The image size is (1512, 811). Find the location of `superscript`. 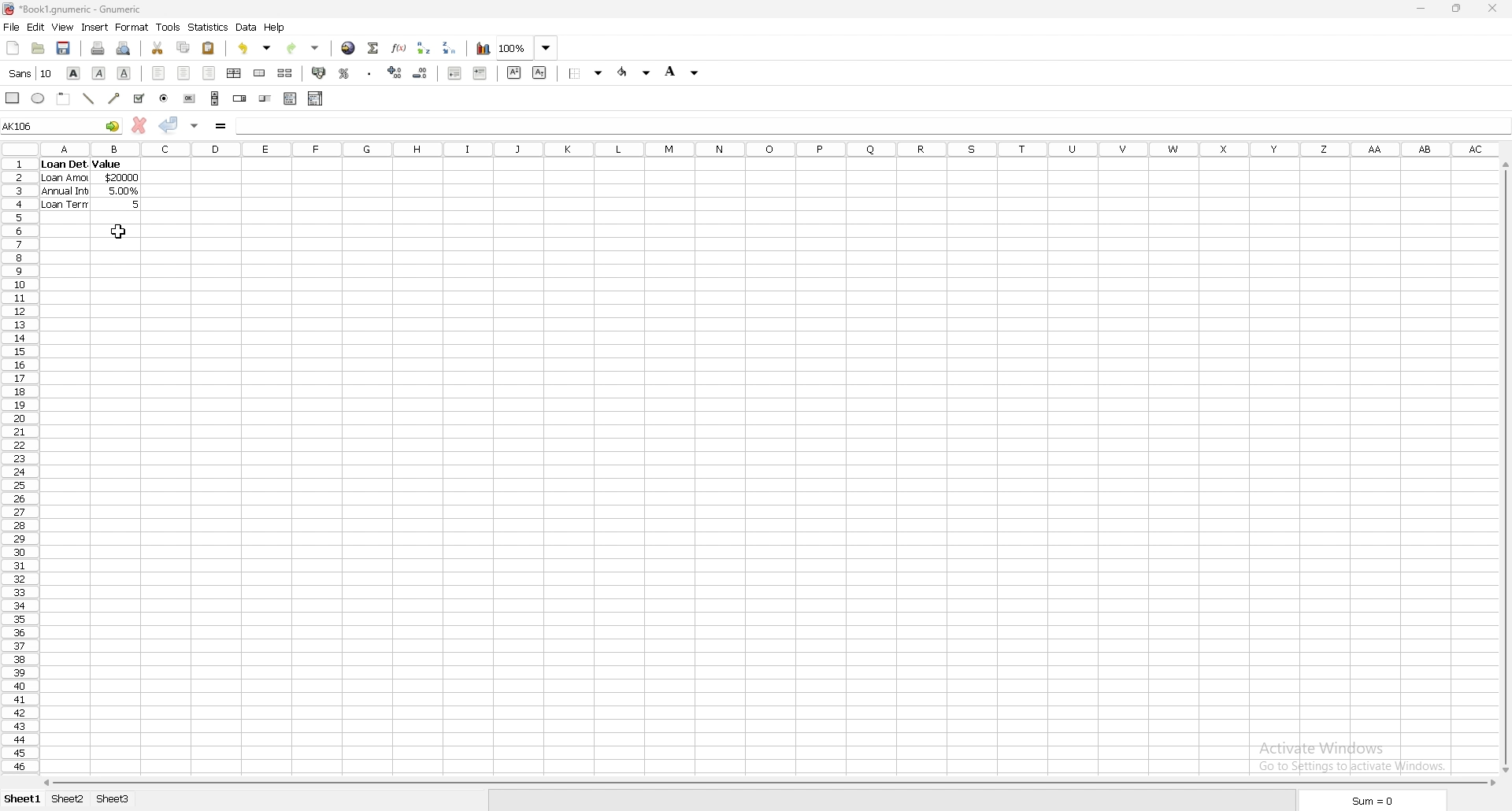

superscript is located at coordinates (513, 72).